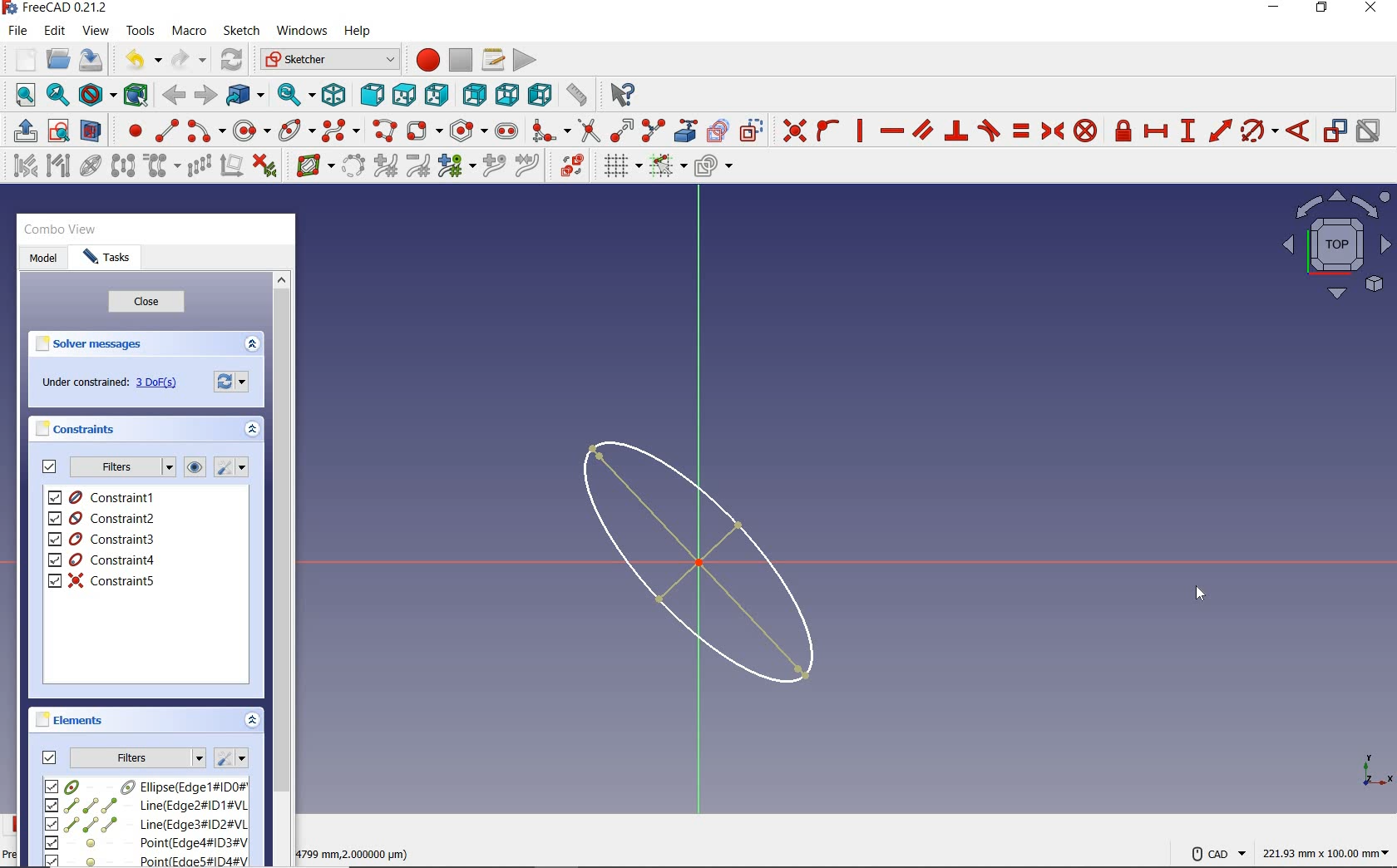 The width and height of the screenshot is (1397, 868). I want to click on help, so click(357, 32).